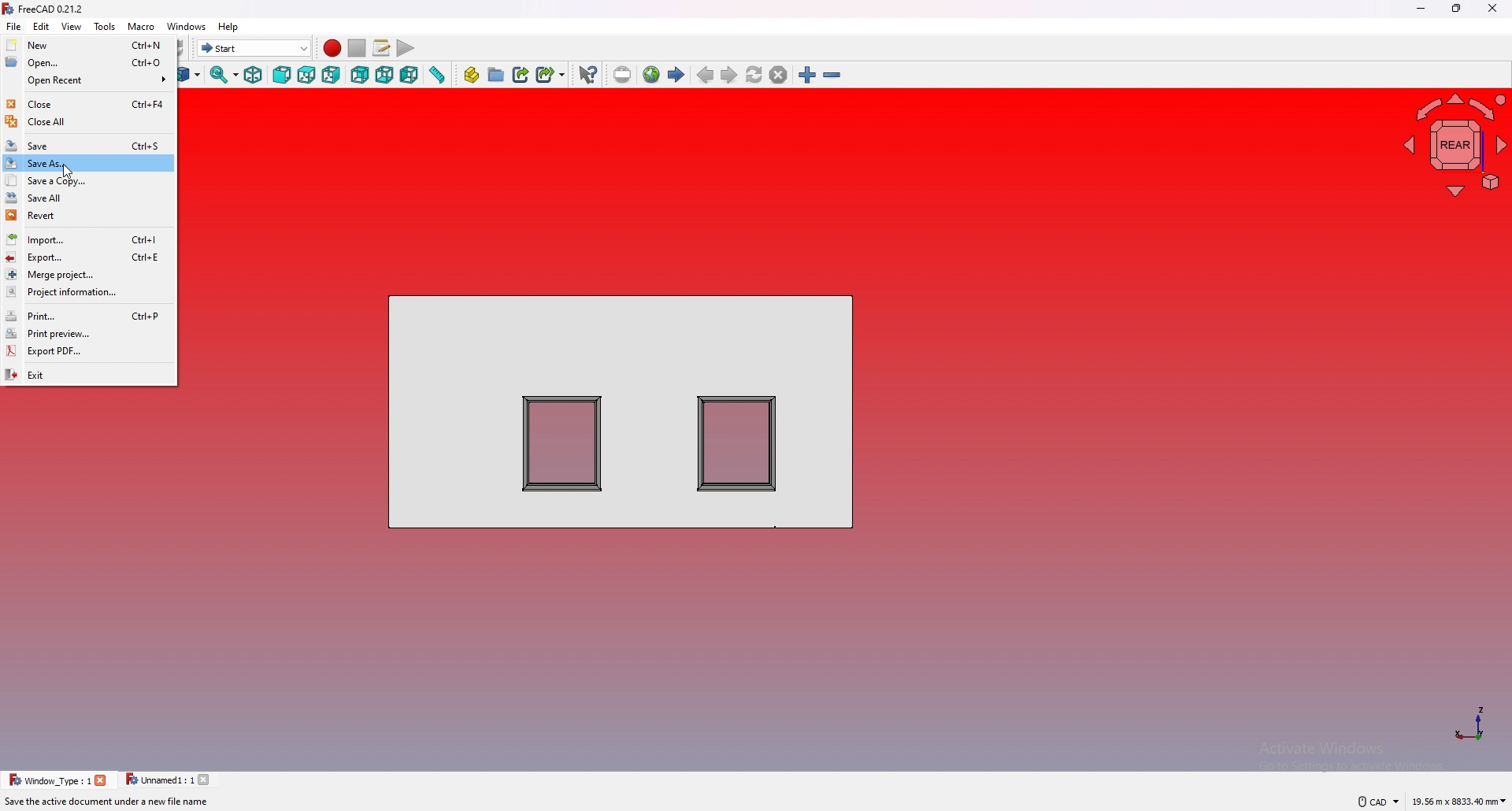 The height and width of the screenshot is (811, 1512). What do you see at coordinates (1421, 9) in the screenshot?
I see `minimize` at bounding box center [1421, 9].